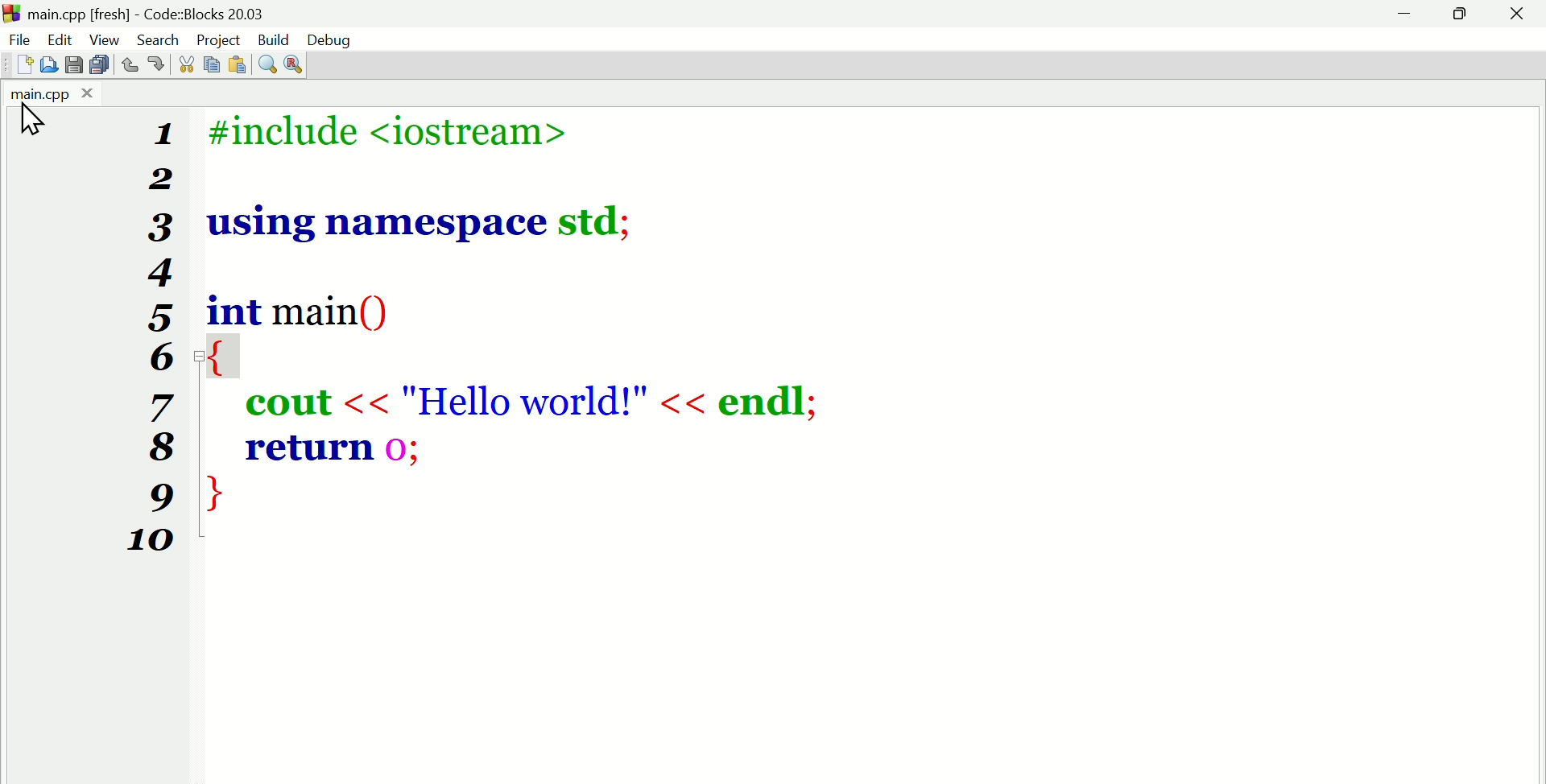 This screenshot has height=784, width=1546. Describe the element at coordinates (550, 324) in the screenshot. I see `#include <iostream>

using namespace std;

int main()
{ cout << "Hello world!" << endl;
: return o;` at that location.